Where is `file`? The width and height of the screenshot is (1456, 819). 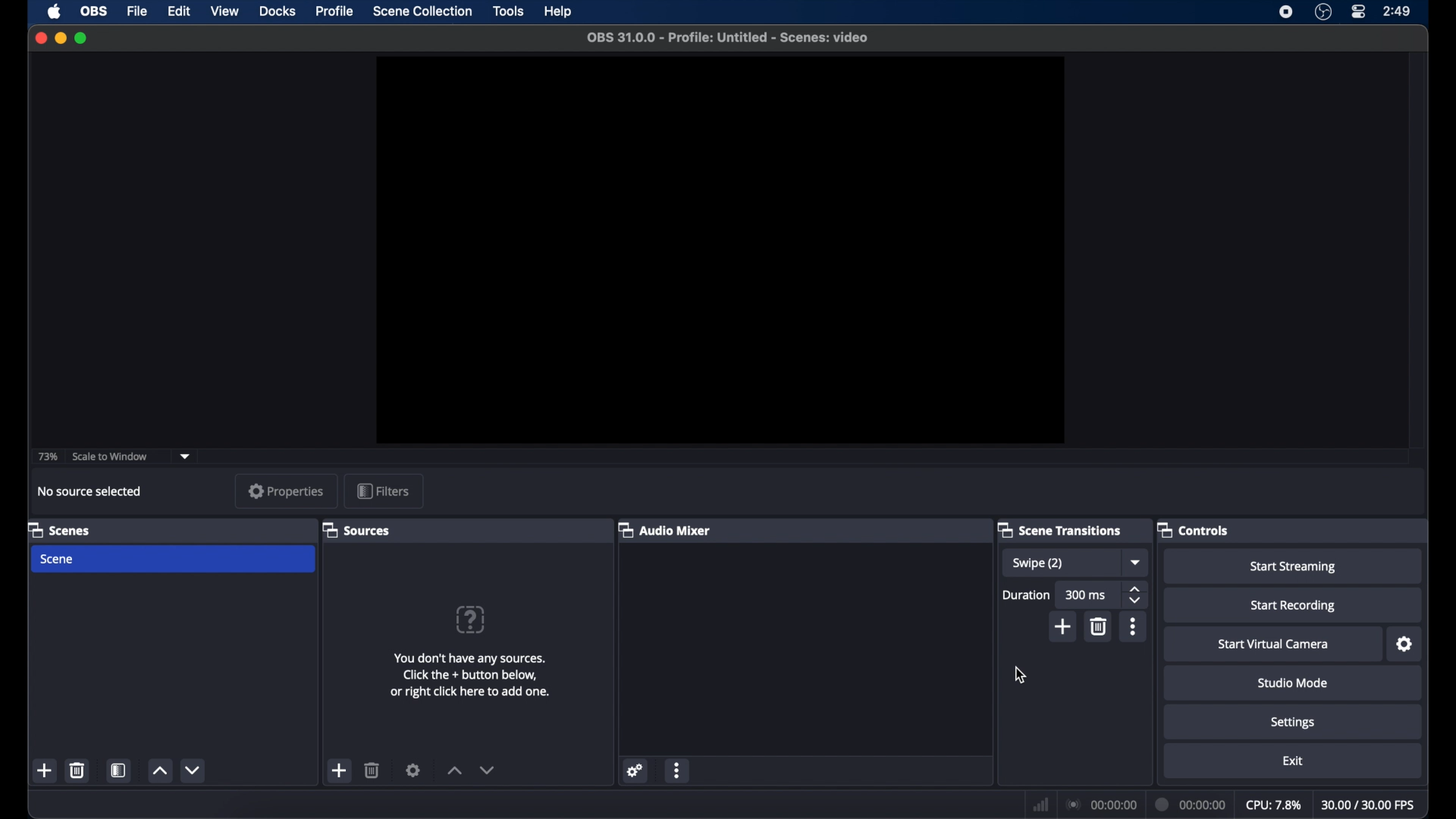
file is located at coordinates (137, 11).